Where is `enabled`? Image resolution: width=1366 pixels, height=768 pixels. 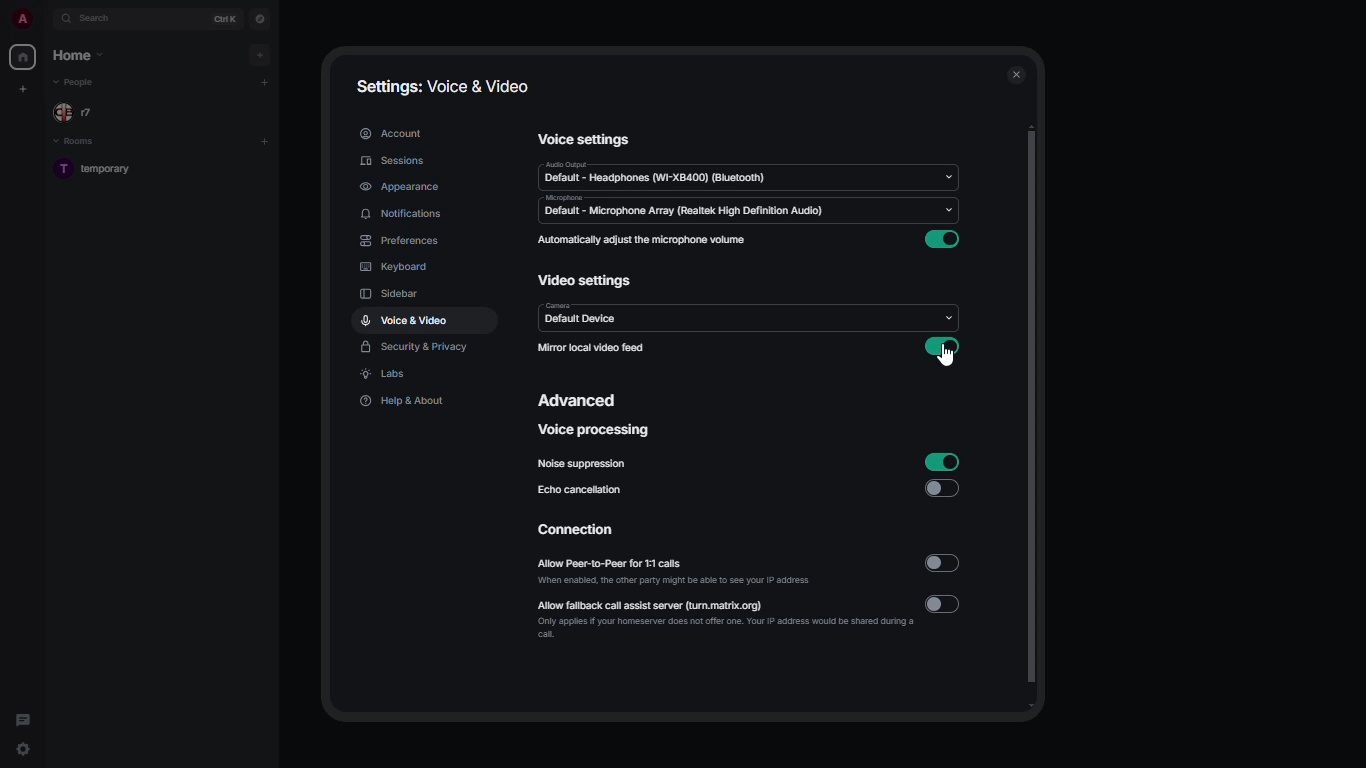
enabled is located at coordinates (941, 462).